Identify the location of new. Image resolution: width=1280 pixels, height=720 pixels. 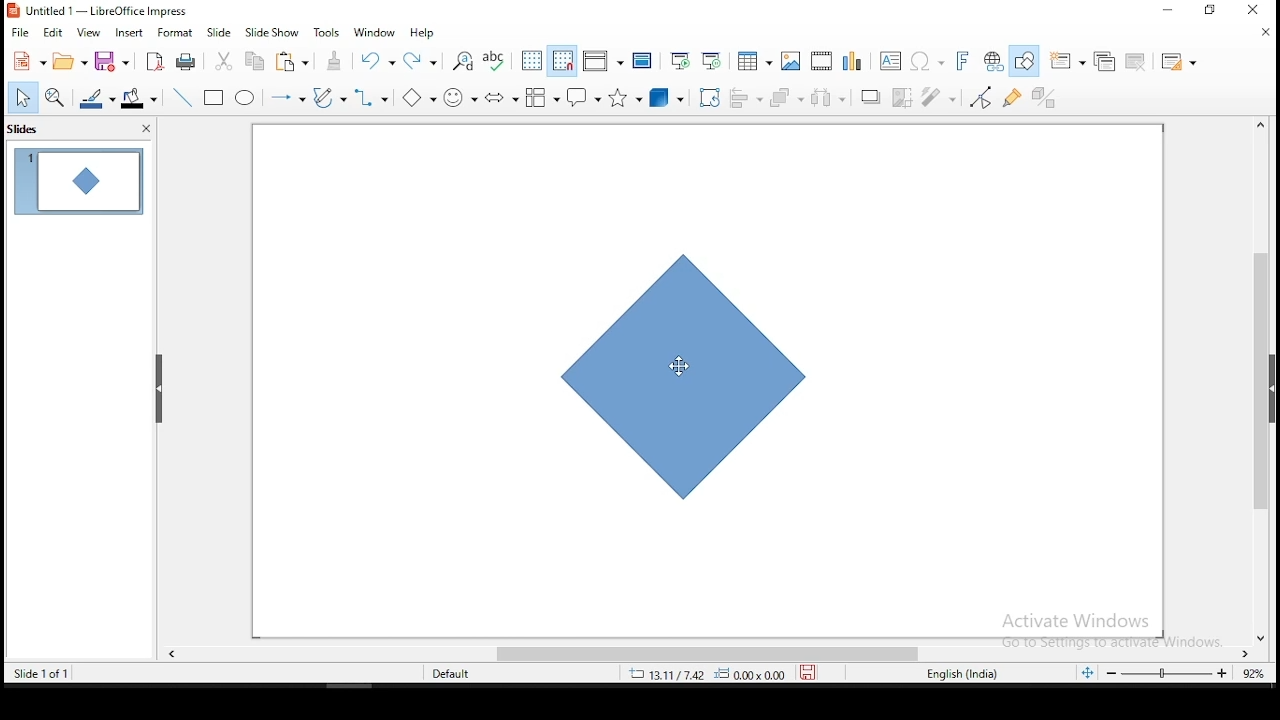
(25, 61).